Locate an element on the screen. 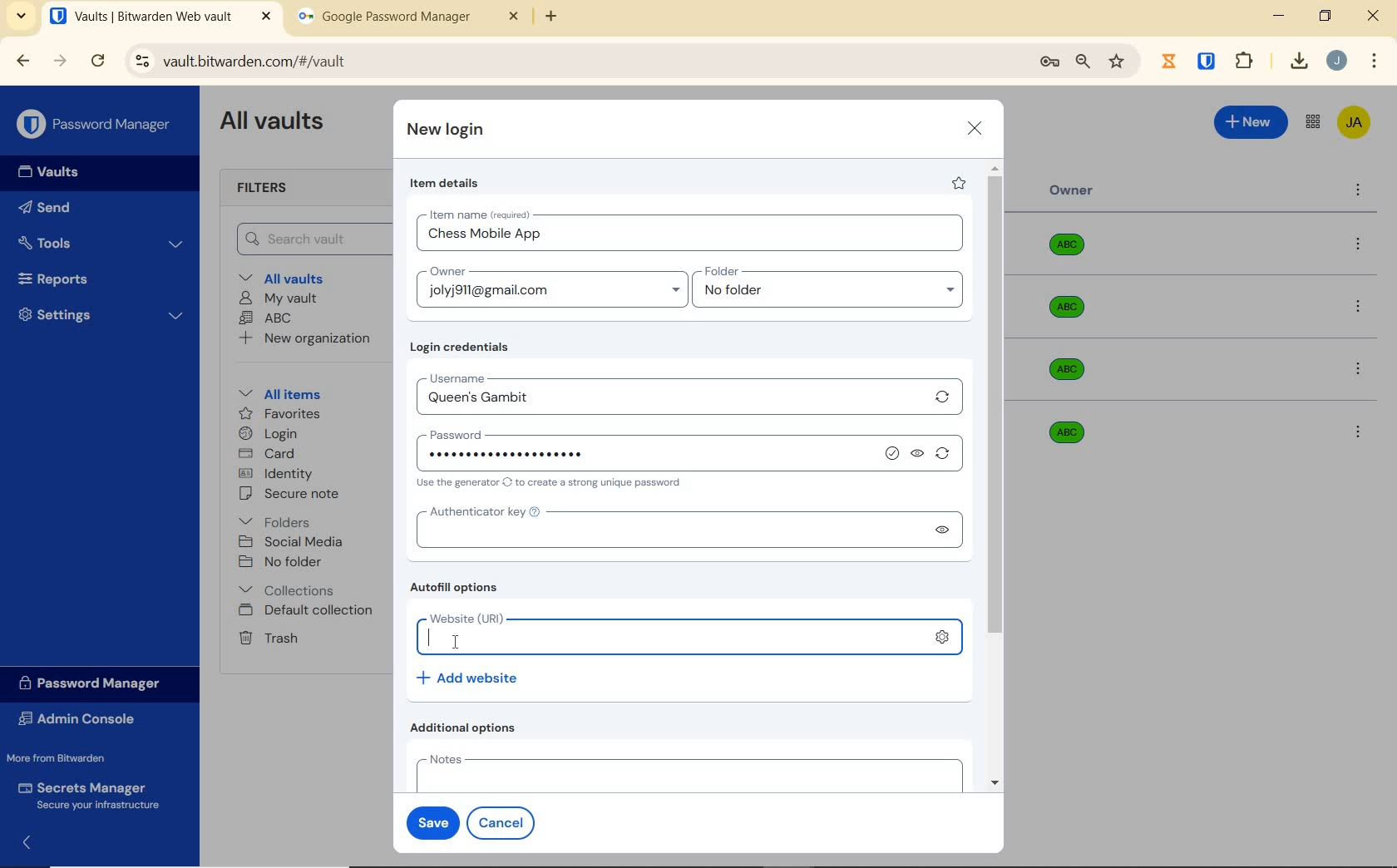 The height and width of the screenshot is (868, 1397). All items is located at coordinates (277, 392).